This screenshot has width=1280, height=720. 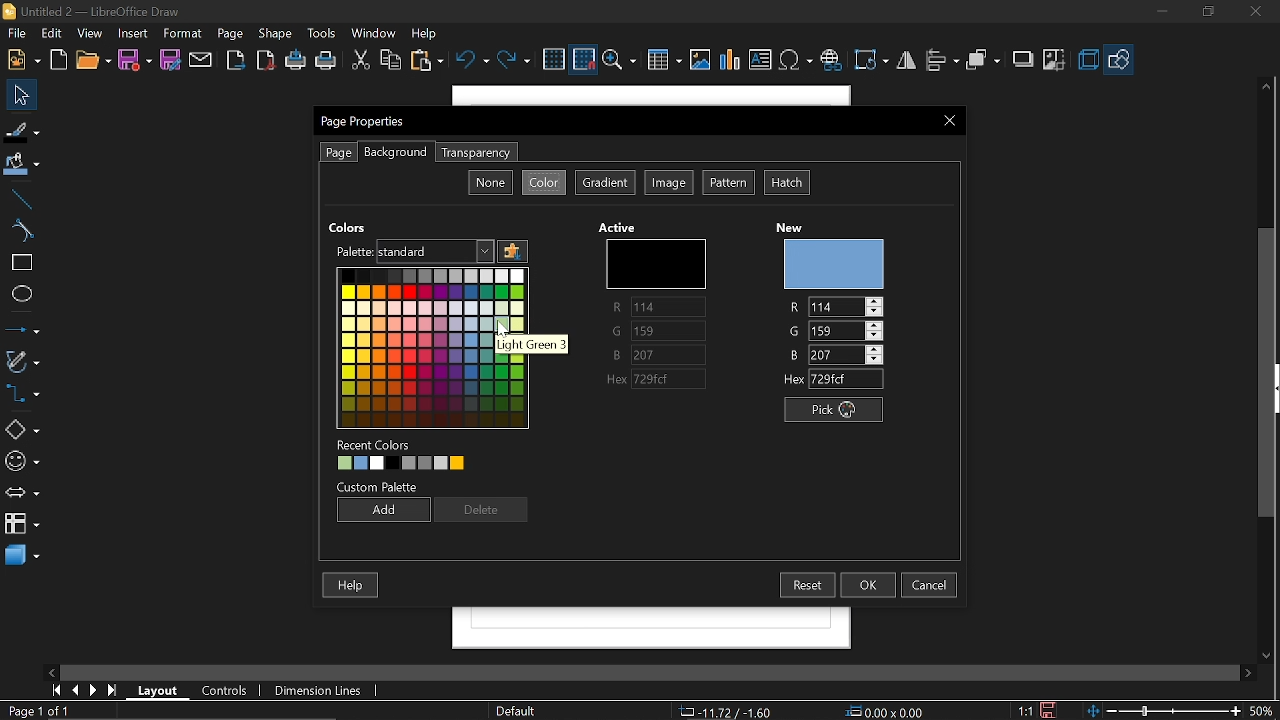 I want to click on Insert chart, so click(x=730, y=62).